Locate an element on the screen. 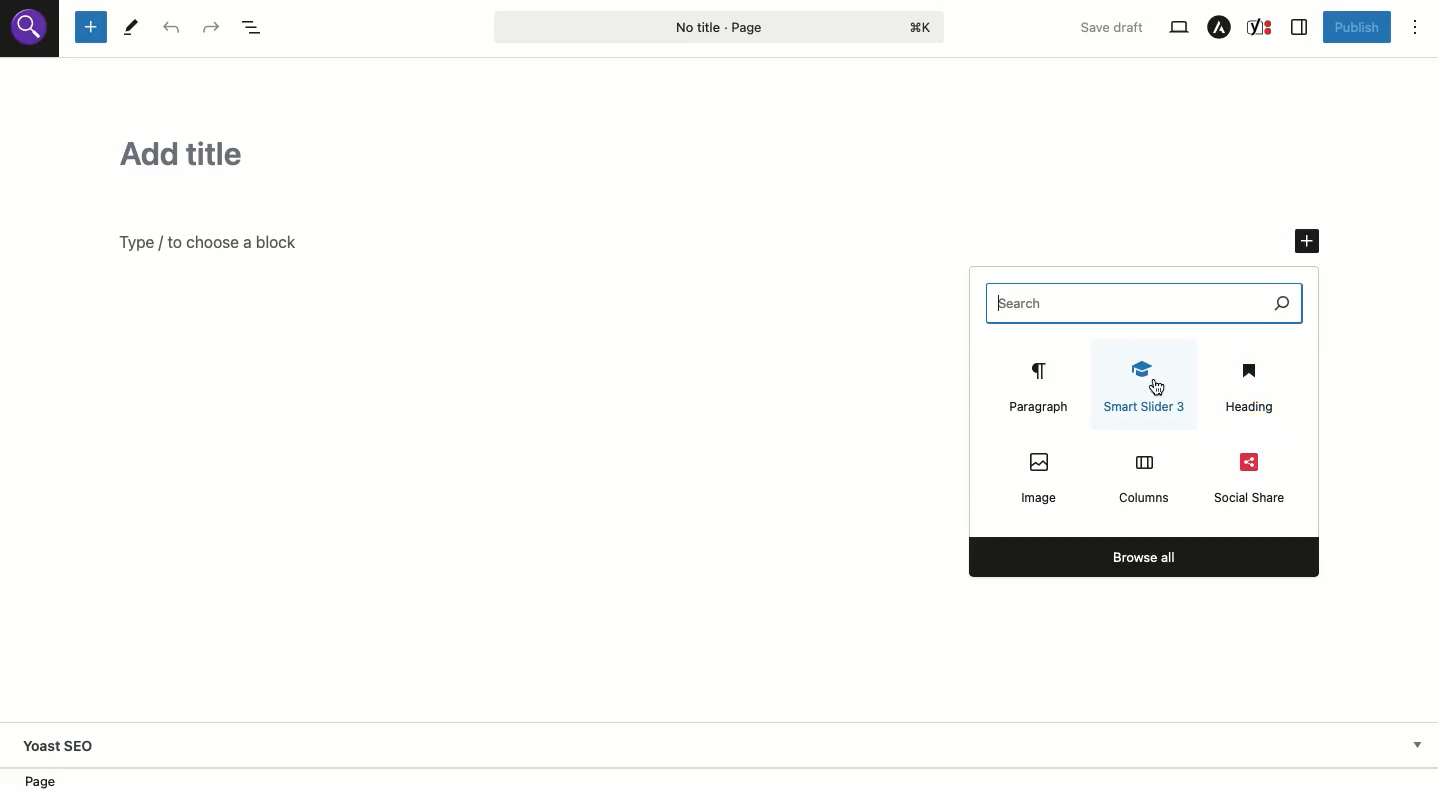 Image resolution: width=1438 pixels, height=792 pixels. Add block is located at coordinates (1308, 242).